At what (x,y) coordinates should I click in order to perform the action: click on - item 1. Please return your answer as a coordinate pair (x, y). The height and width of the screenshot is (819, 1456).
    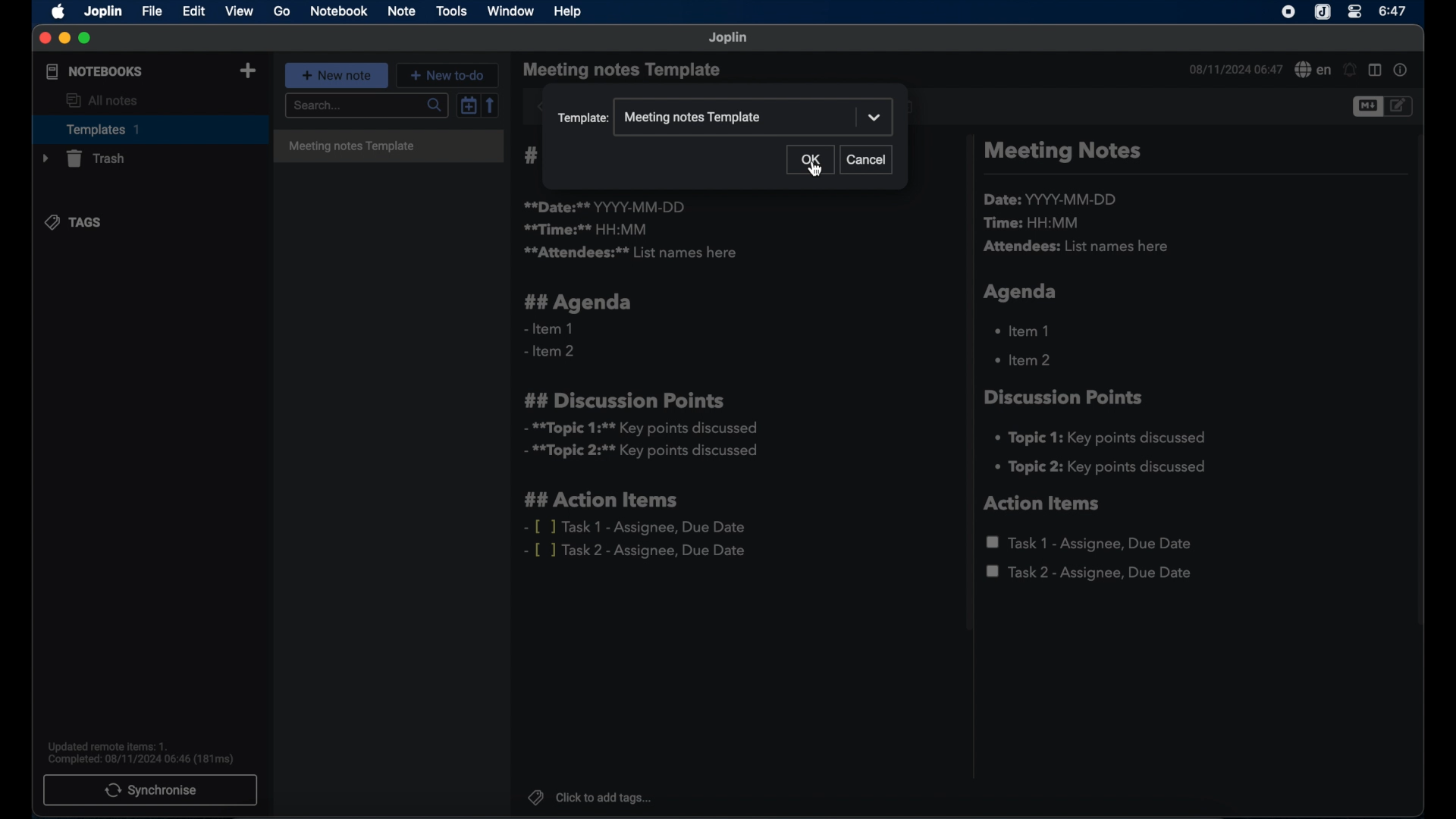
    Looking at the image, I should click on (548, 329).